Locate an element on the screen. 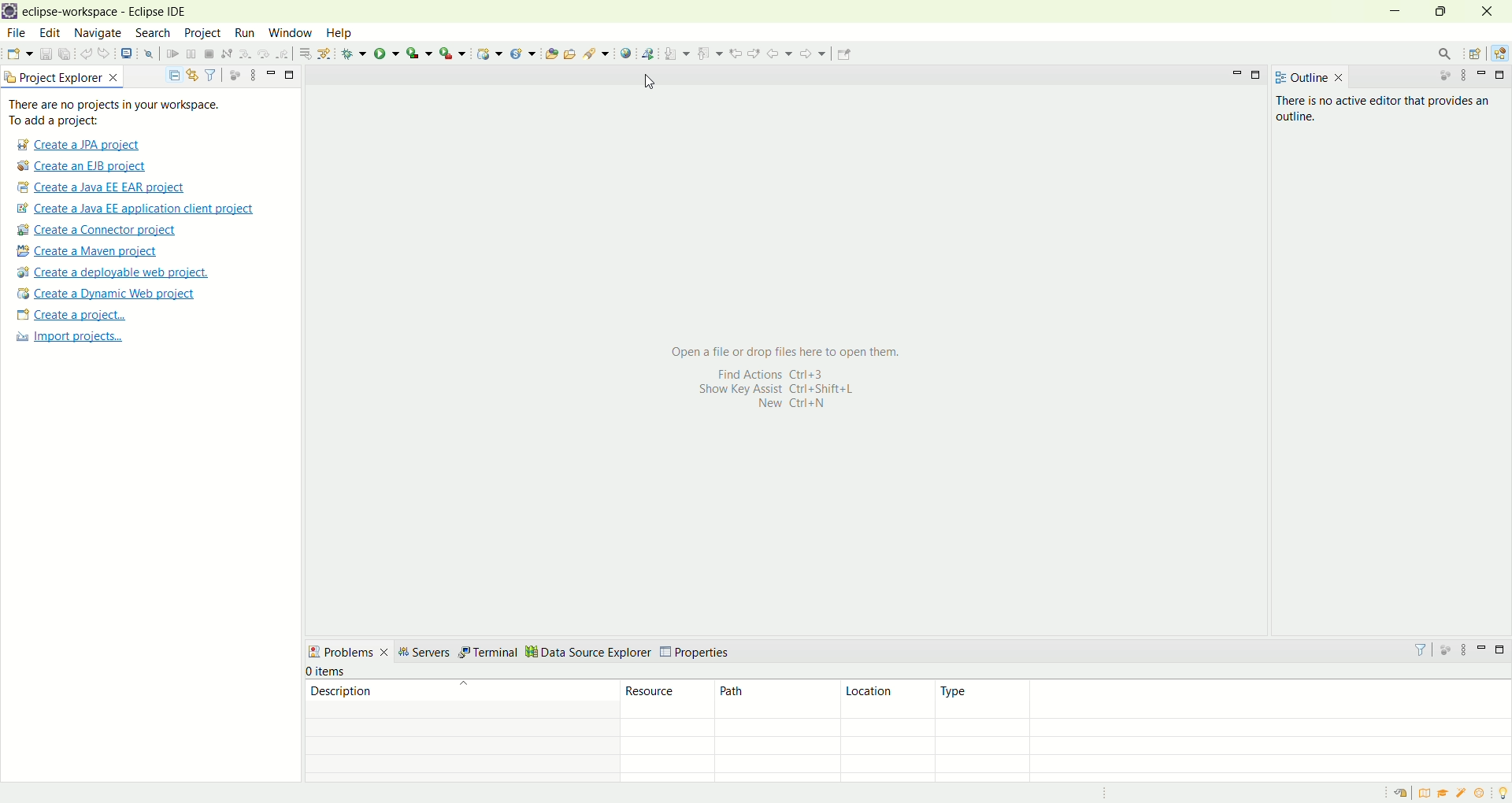 The image size is (1512, 803). back is located at coordinates (783, 53).